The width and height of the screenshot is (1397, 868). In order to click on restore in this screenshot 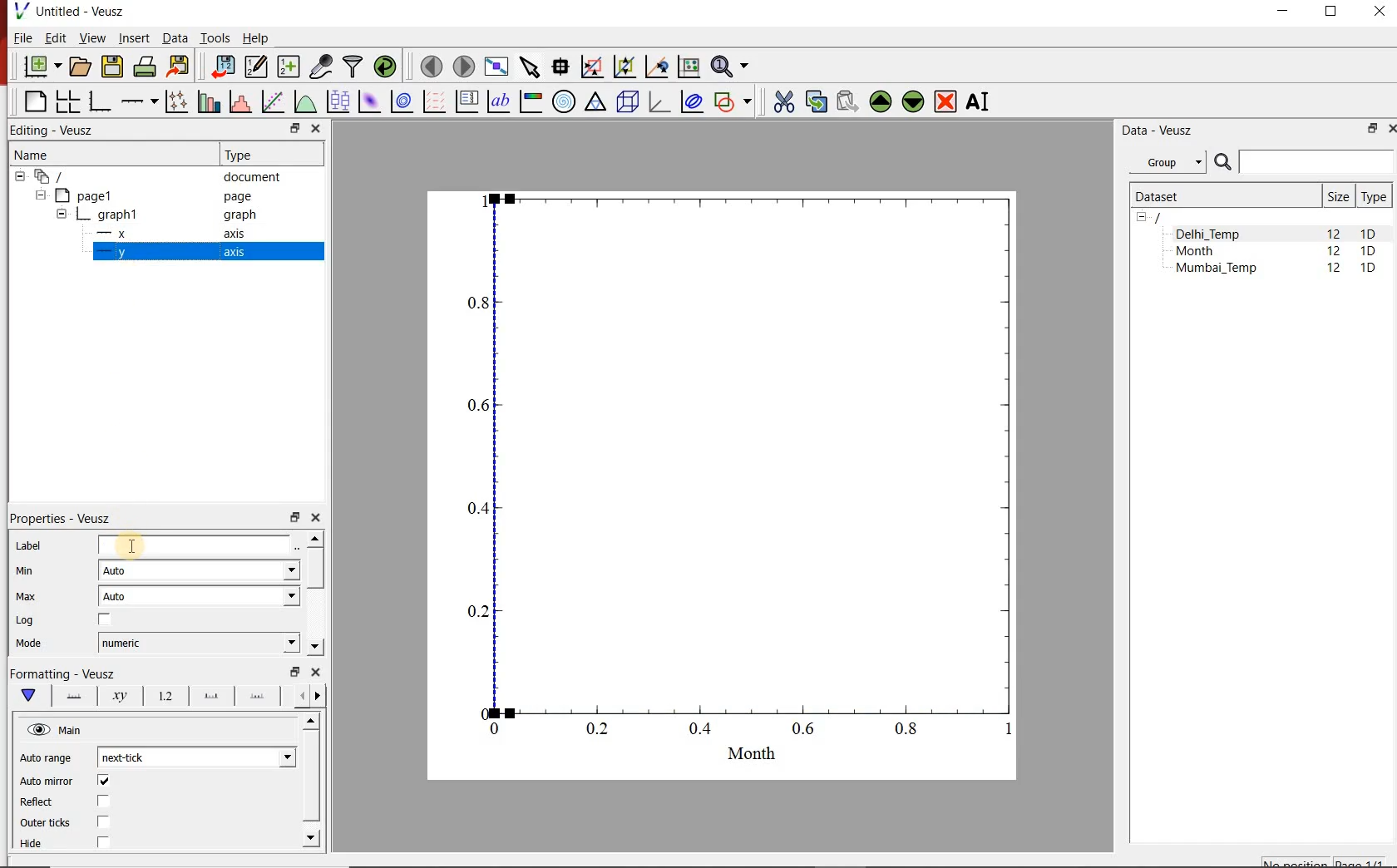, I will do `click(296, 128)`.